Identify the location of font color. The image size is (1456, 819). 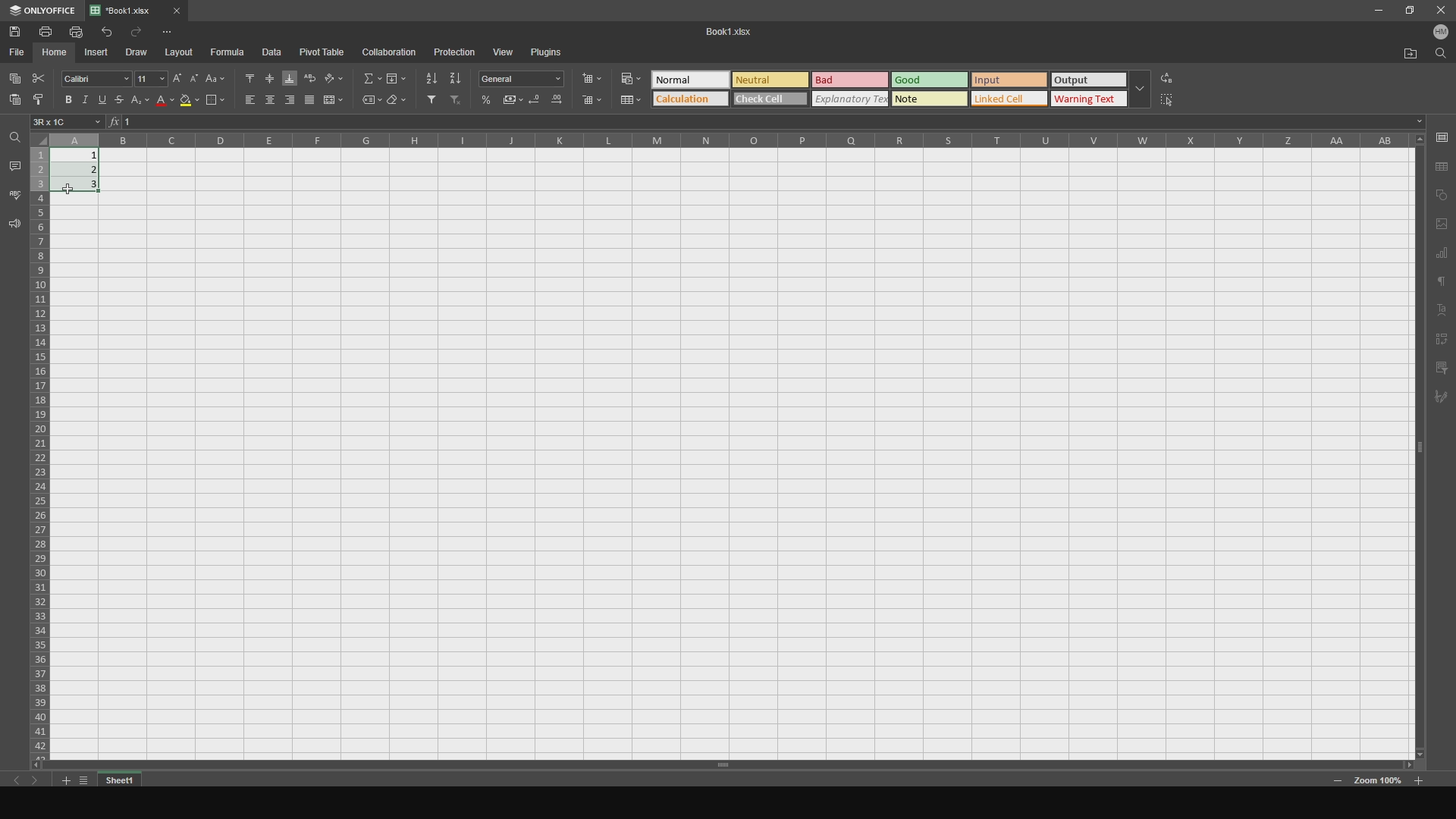
(162, 102).